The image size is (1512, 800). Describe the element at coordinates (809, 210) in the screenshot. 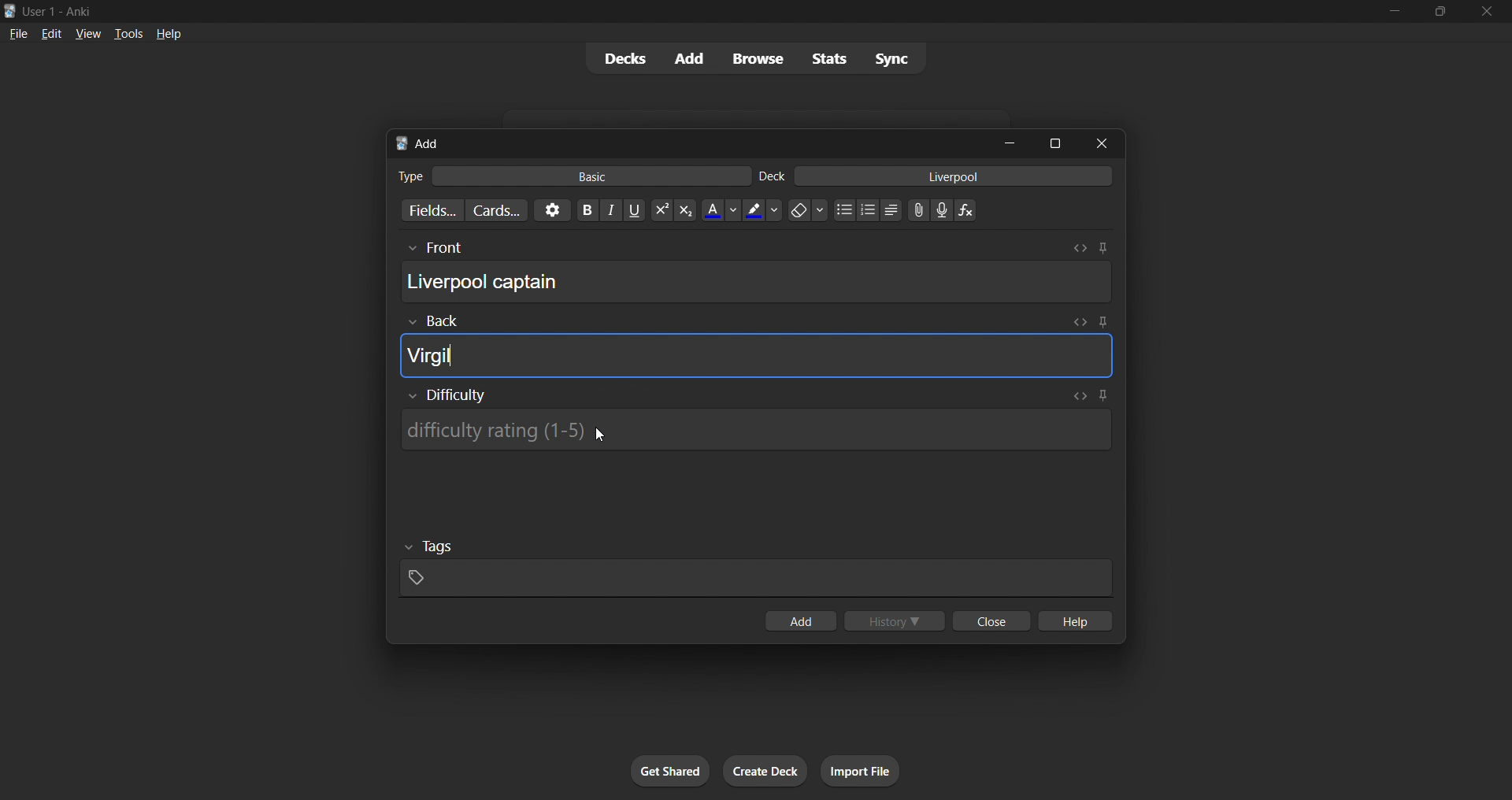

I see `Remove formatting options` at that location.